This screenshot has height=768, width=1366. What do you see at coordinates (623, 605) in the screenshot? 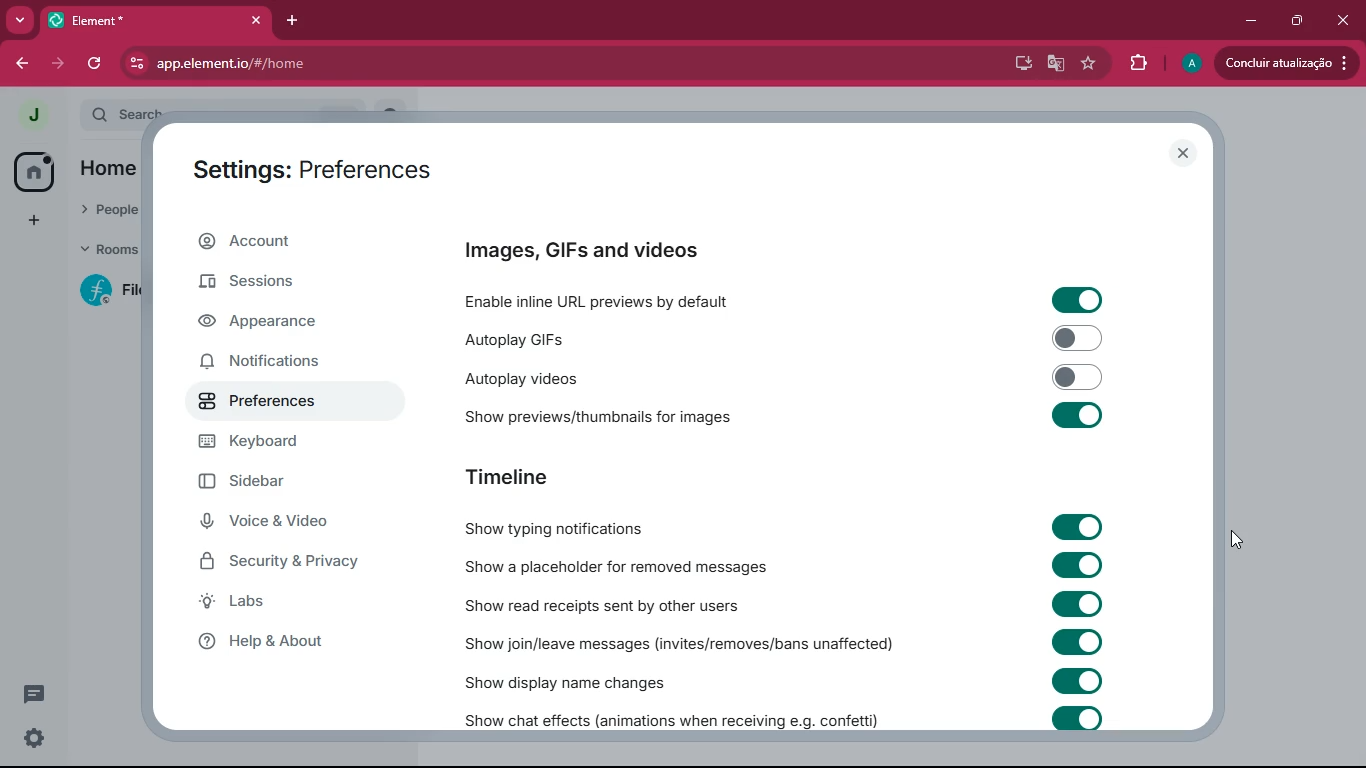
I see `show read receipts sent by other users` at bounding box center [623, 605].